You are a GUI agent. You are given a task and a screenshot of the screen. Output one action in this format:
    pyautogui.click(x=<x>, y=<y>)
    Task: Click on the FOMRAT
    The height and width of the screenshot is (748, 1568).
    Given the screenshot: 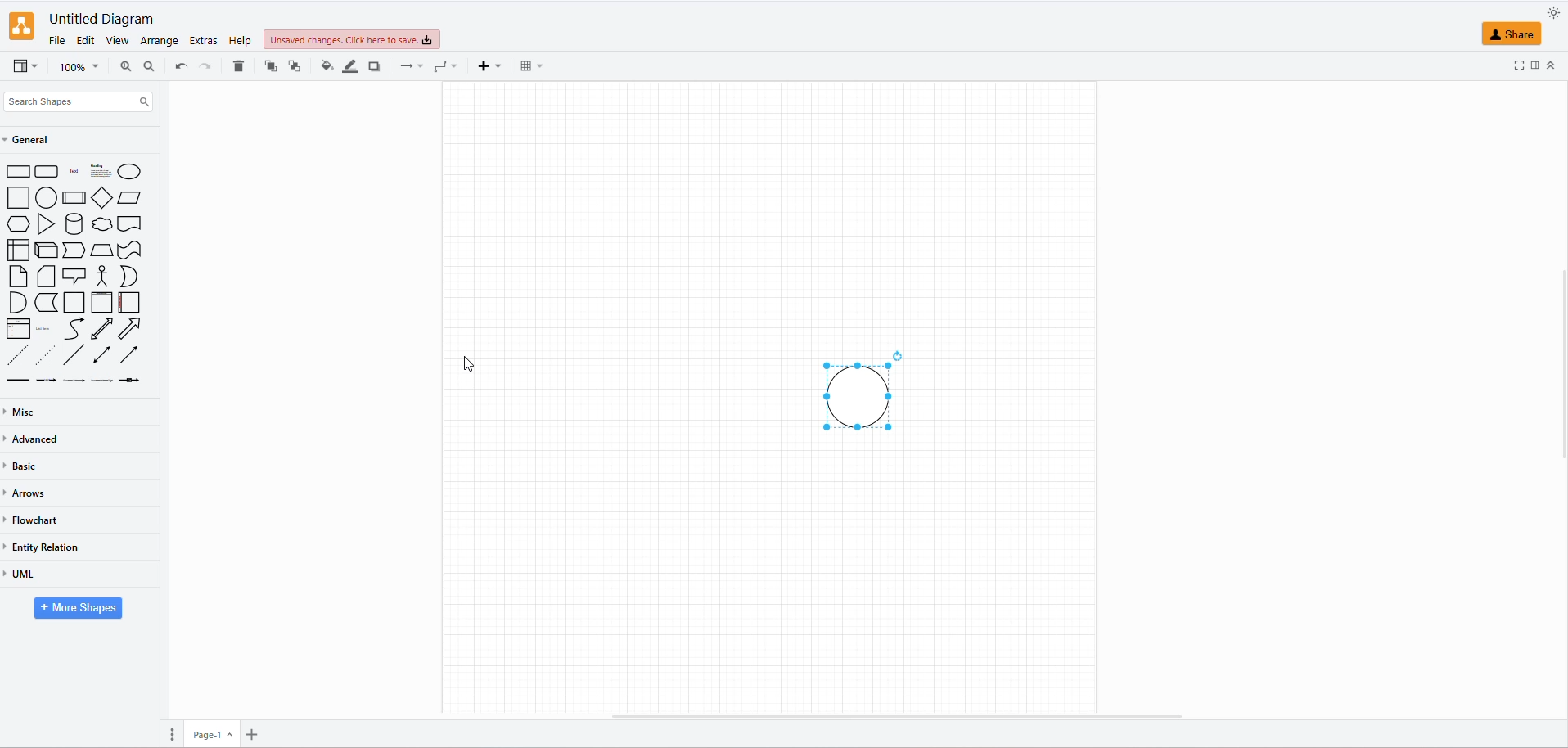 What is the action you would take?
    pyautogui.click(x=1535, y=63)
    